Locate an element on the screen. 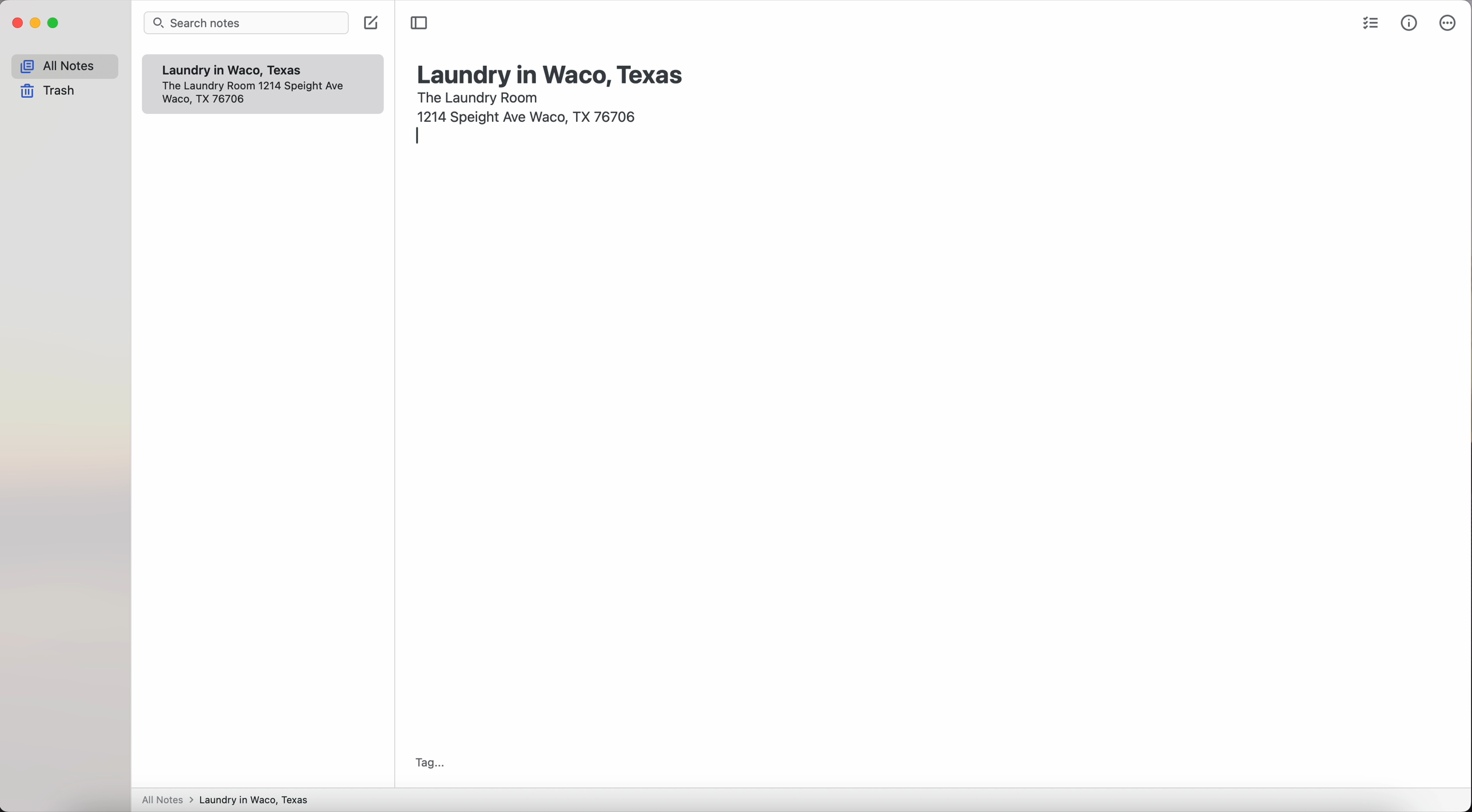 This screenshot has width=1472, height=812. 1214 Speight Ave Waco, TX 76706 is located at coordinates (530, 115).